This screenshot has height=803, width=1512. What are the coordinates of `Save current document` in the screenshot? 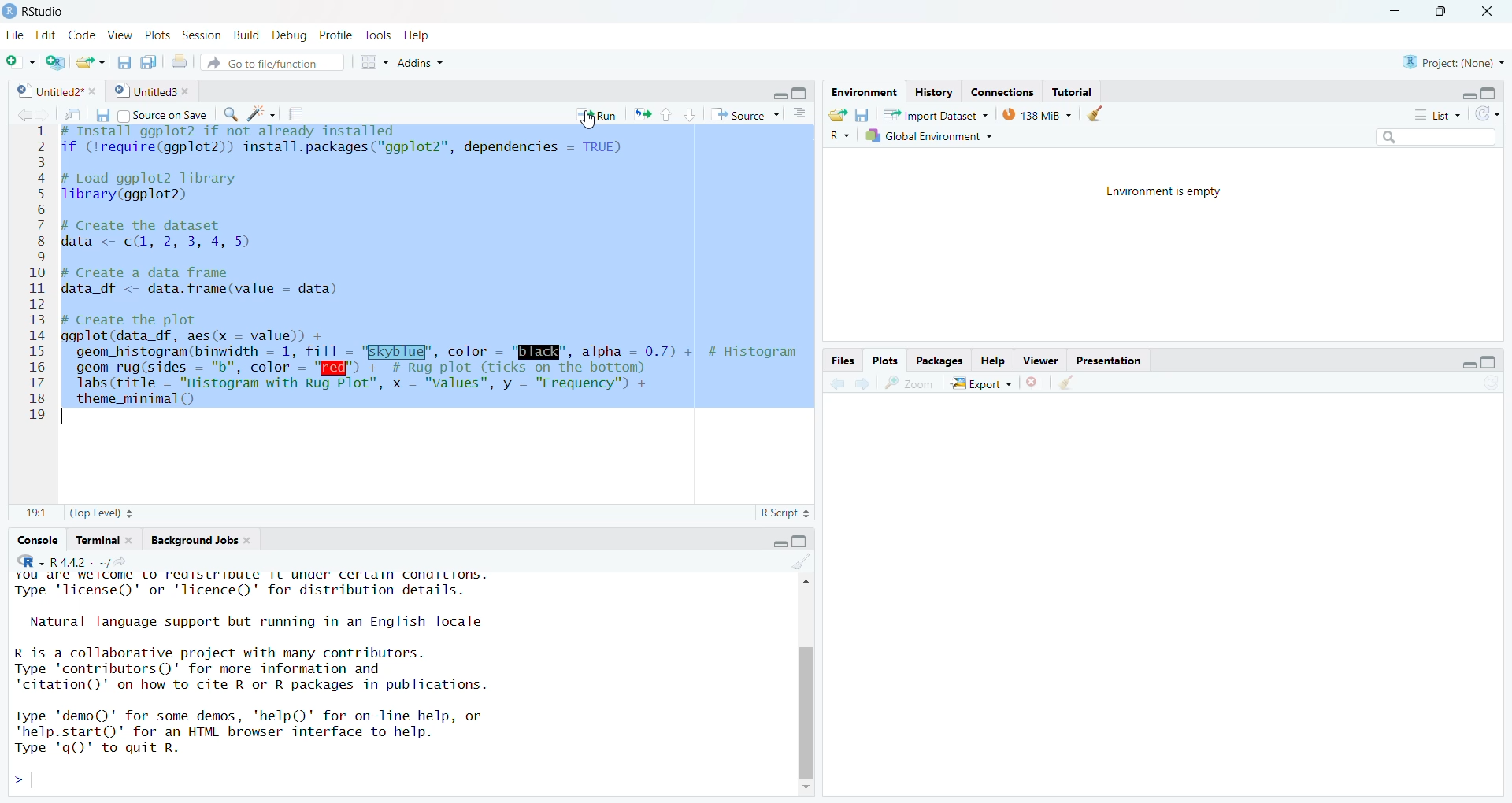 It's located at (121, 62).